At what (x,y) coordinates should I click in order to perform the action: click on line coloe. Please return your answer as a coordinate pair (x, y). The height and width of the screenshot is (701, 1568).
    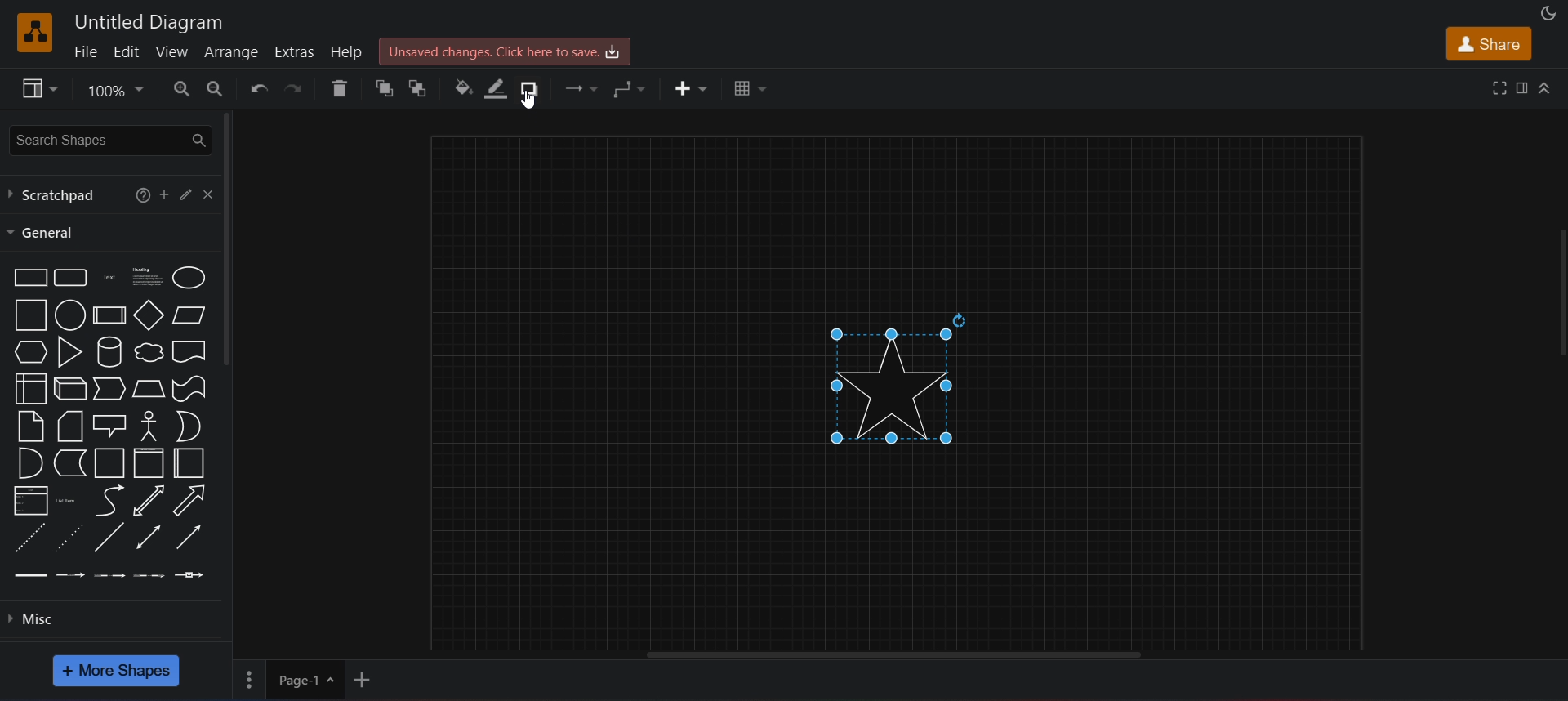
    Looking at the image, I should click on (501, 89).